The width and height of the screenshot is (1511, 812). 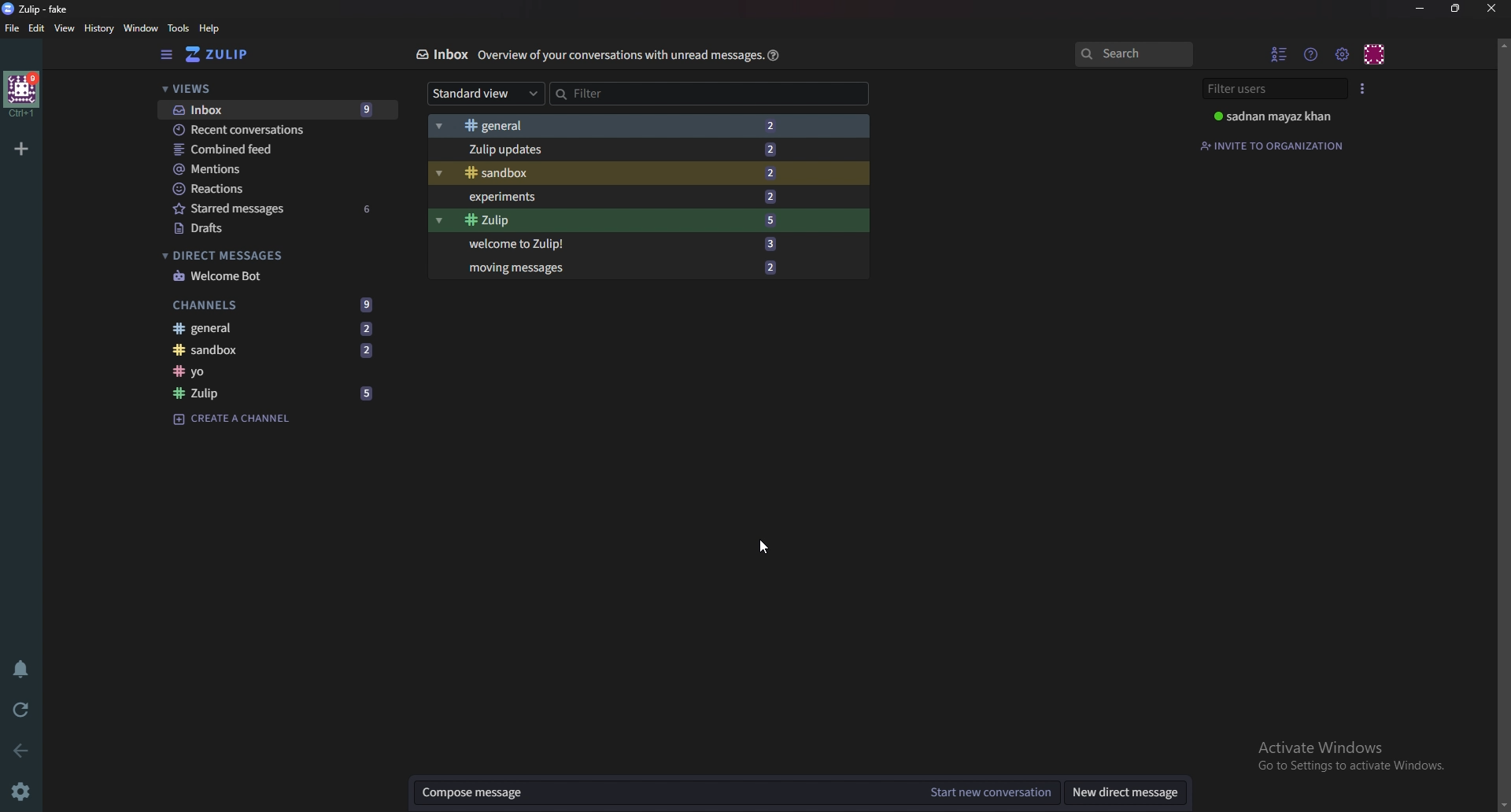 What do you see at coordinates (271, 227) in the screenshot?
I see `drafts` at bounding box center [271, 227].